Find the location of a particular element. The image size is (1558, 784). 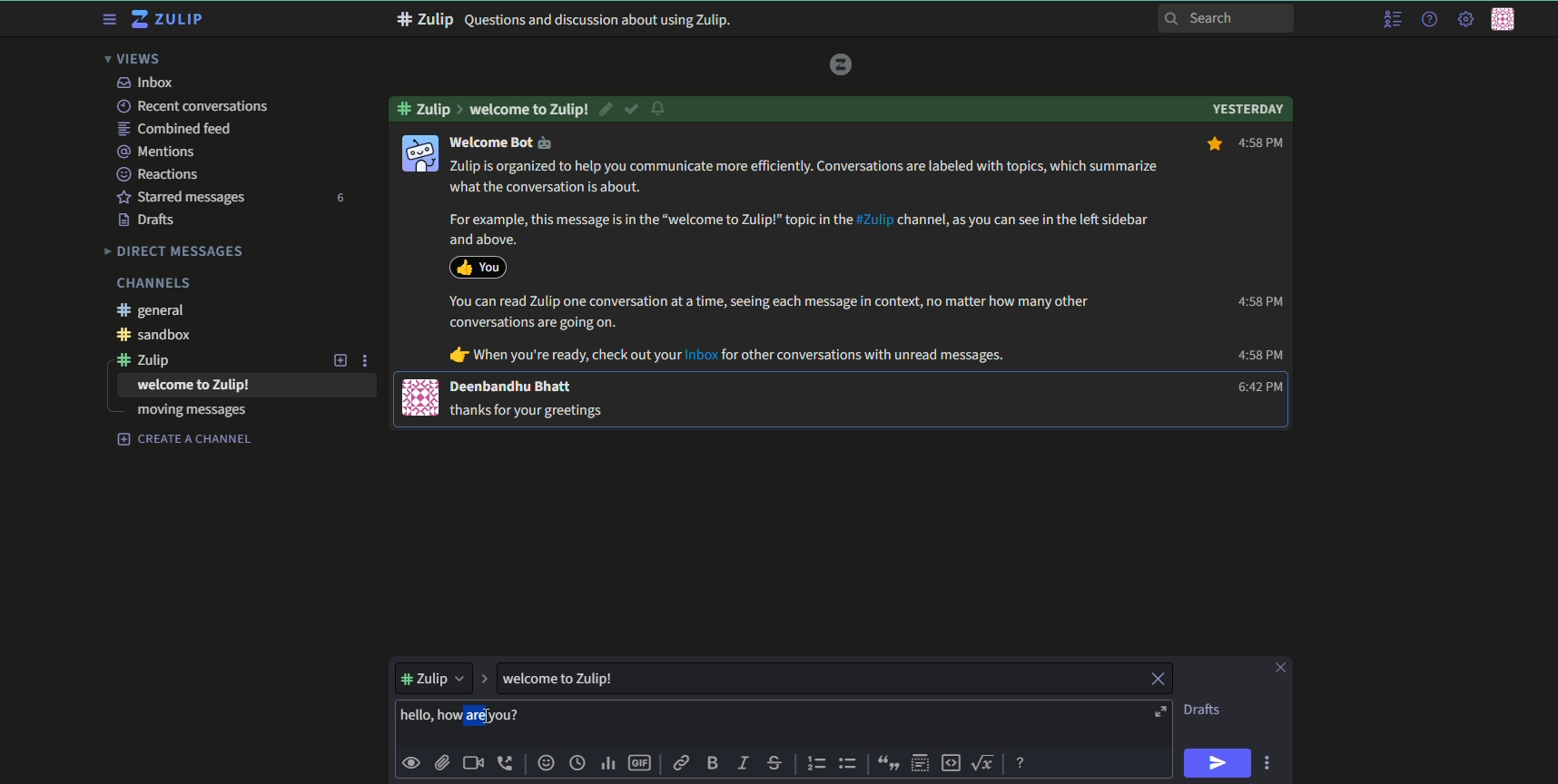

thanks for your greetings is located at coordinates (531, 409).